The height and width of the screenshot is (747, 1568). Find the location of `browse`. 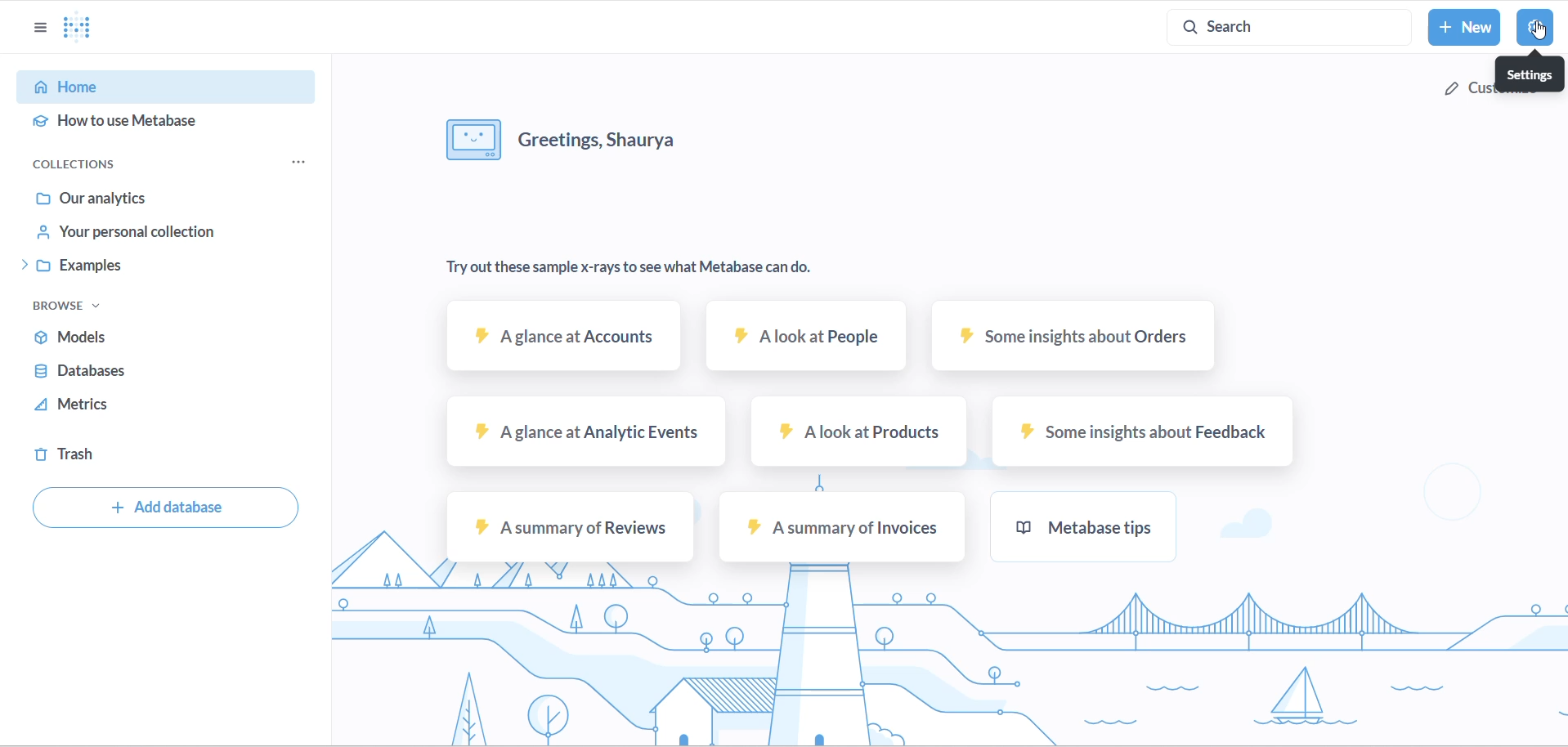

browse is located at coordinates (67, 306).